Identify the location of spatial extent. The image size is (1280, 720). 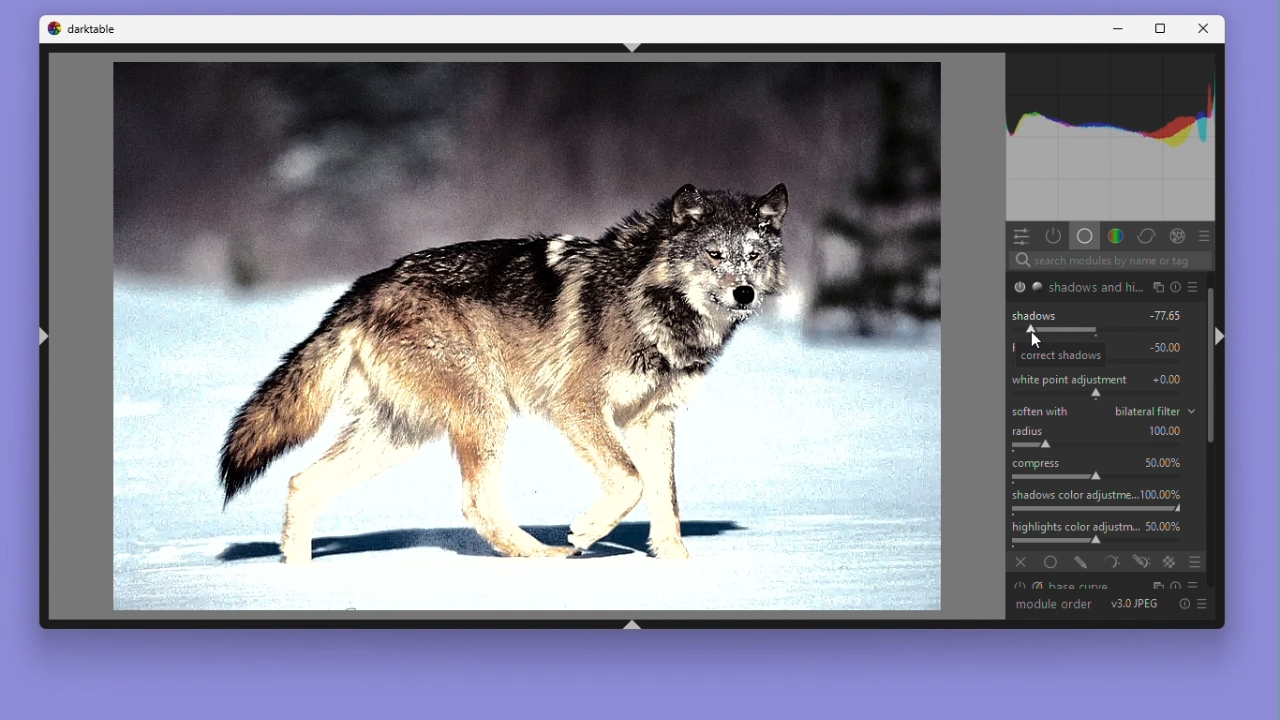
(1033, 445).